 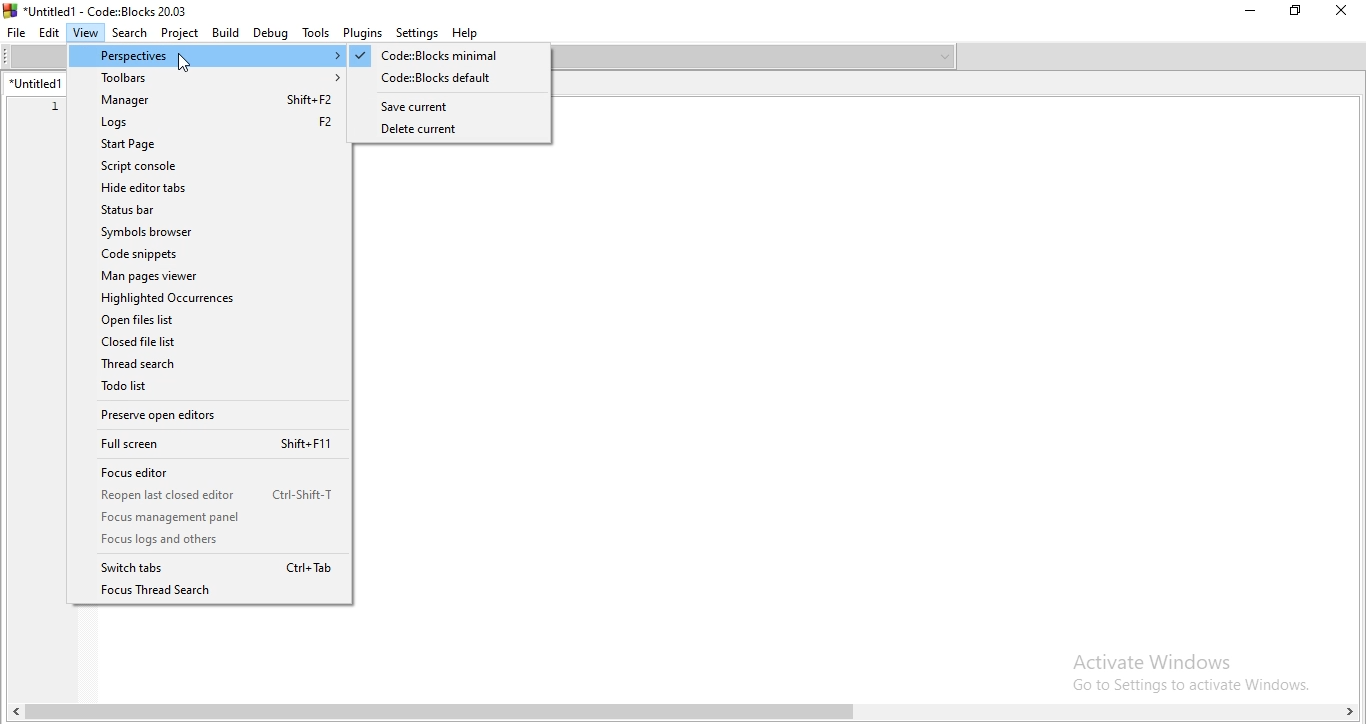 I want to click on save current, so click(x=453, y=106).